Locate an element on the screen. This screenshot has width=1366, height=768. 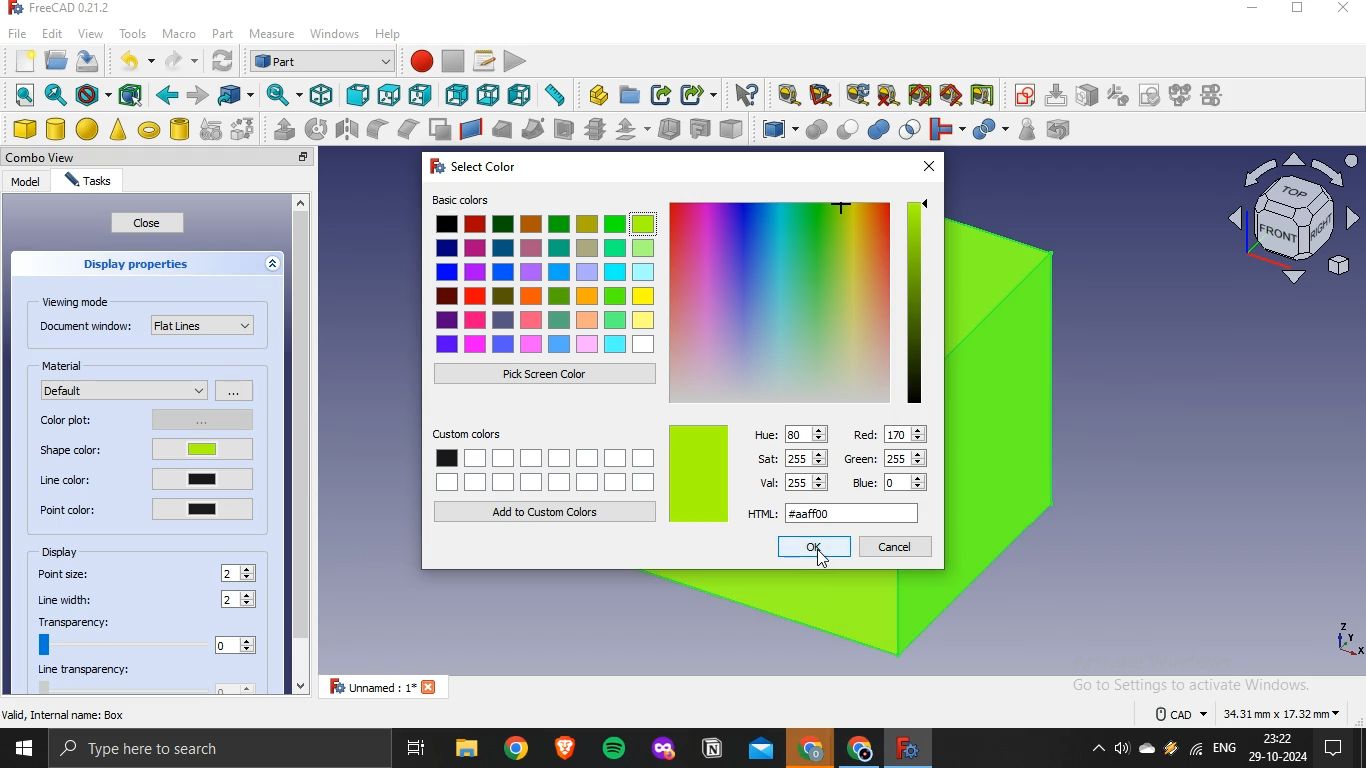
create projection on surface is located at coordinates (699, 128).